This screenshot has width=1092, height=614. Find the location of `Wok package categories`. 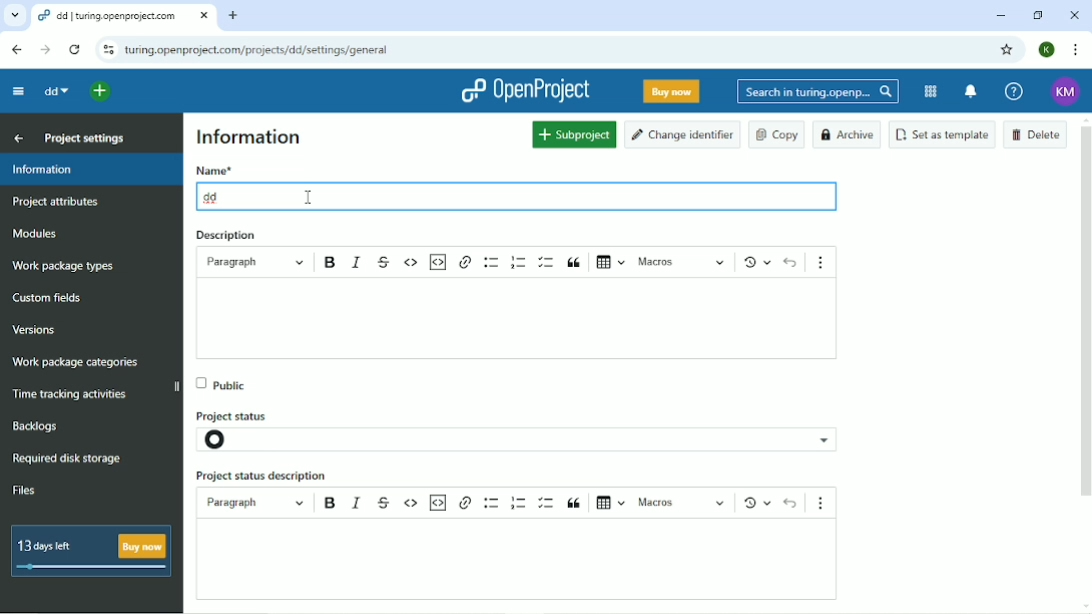

Wok package categories is located at coordinates (76, 363).